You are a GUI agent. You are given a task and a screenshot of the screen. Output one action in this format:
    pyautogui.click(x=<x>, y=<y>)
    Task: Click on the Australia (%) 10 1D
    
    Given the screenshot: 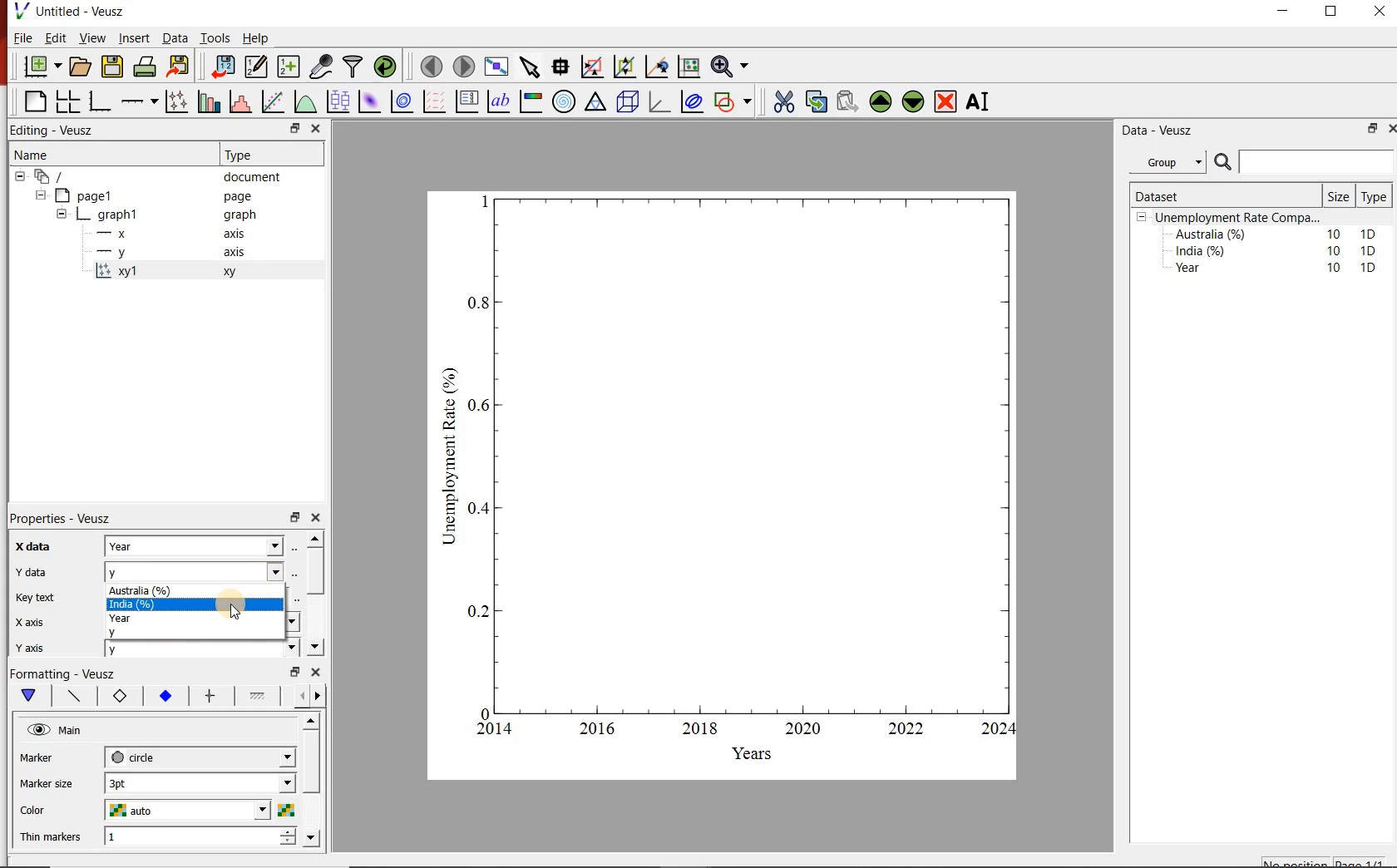 What is the action you would take?
    pyautogui.click(x=1277, y=234)
    